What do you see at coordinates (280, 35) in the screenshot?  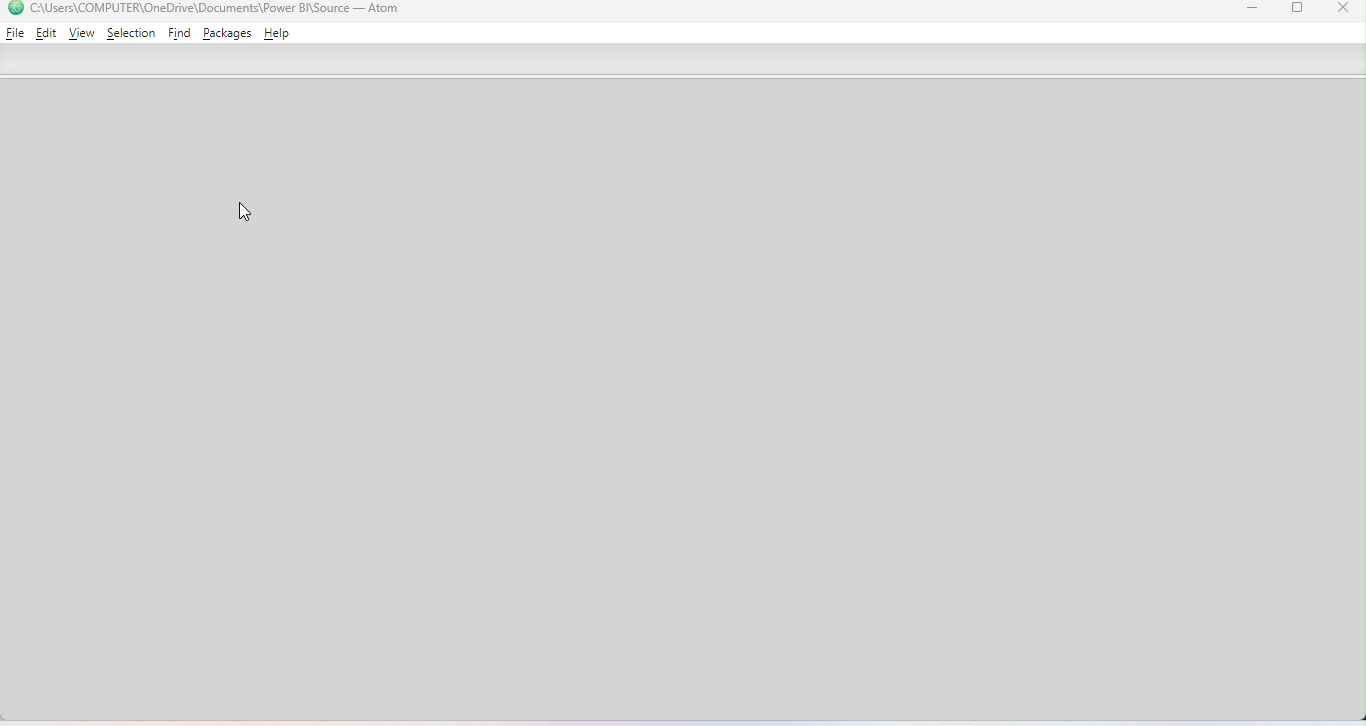 I see `Help` at bounding box center [280, 35].